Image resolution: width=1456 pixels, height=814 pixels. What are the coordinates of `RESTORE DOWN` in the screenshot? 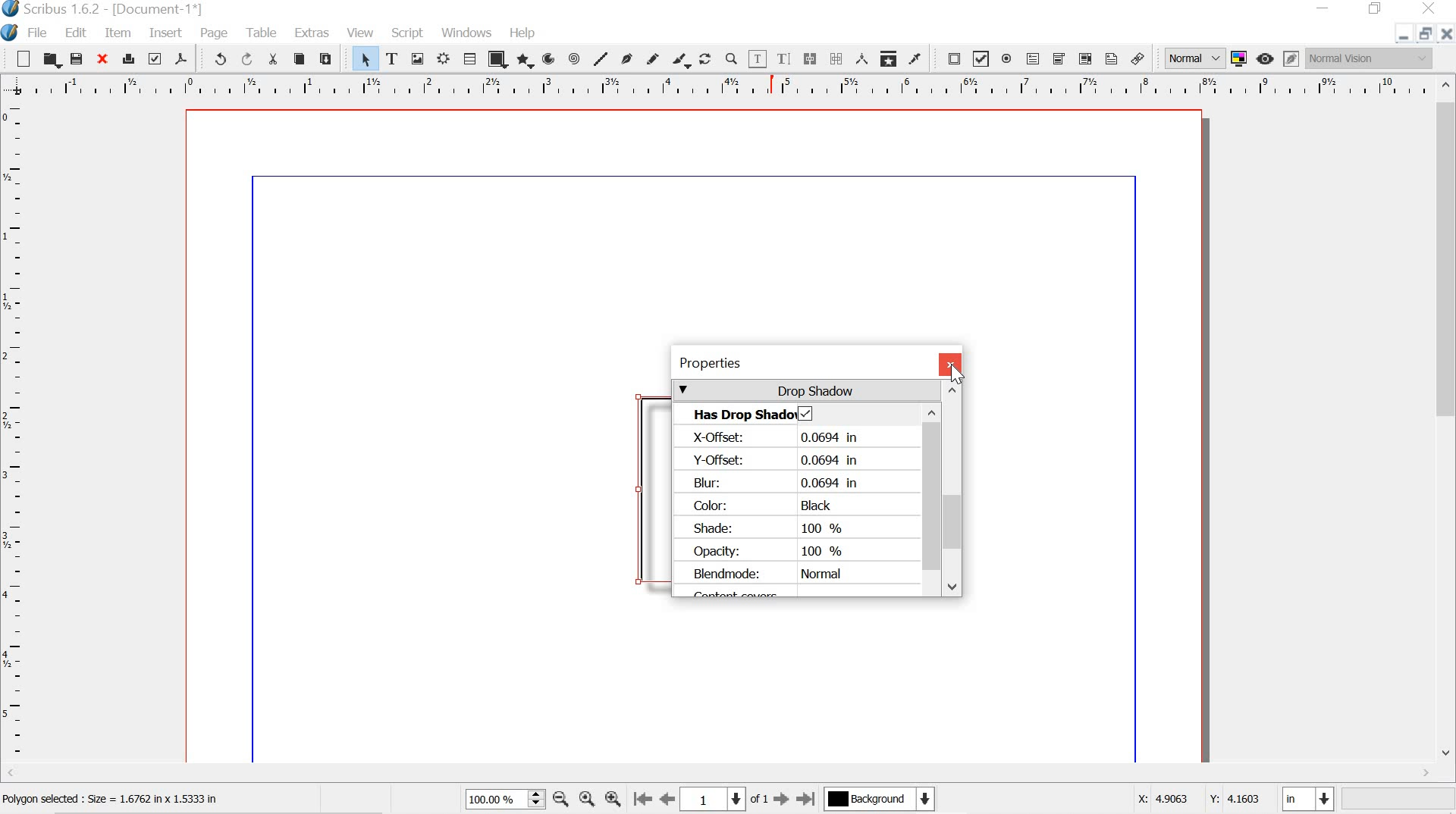 It's located at (1423, 36).